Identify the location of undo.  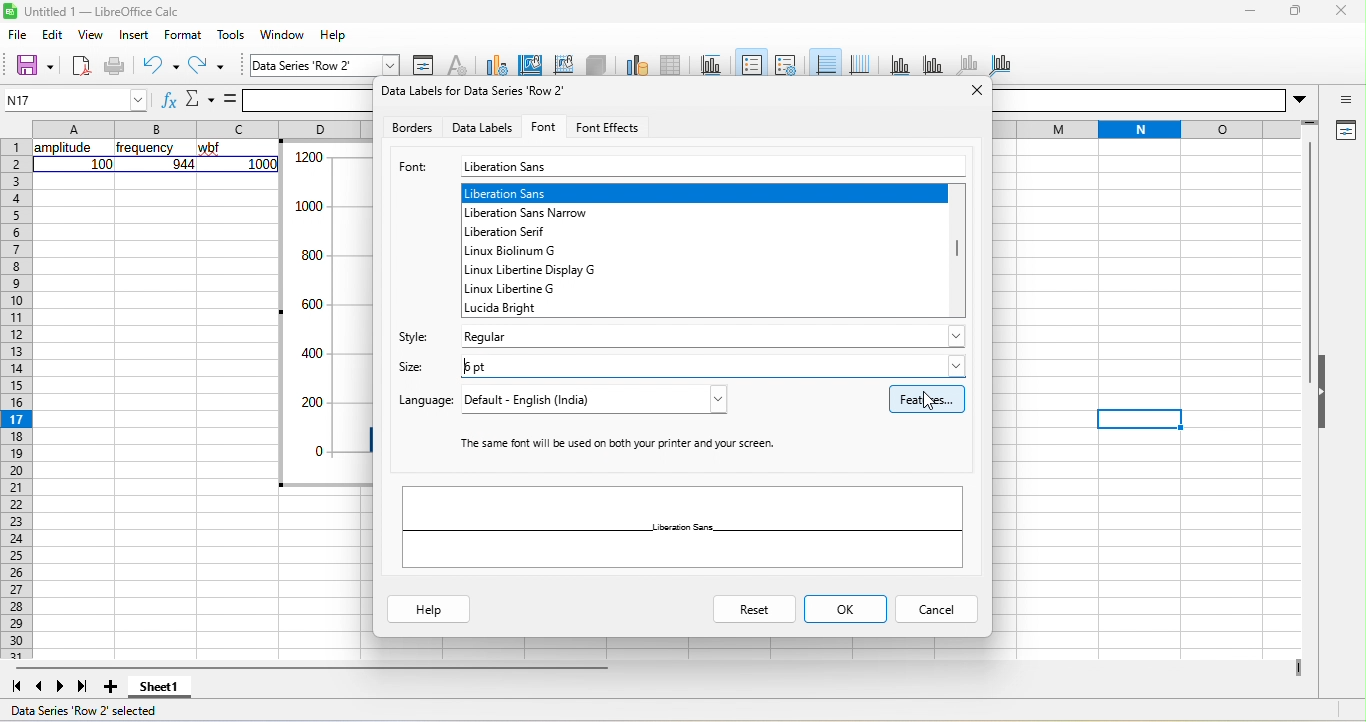
(161, 65).